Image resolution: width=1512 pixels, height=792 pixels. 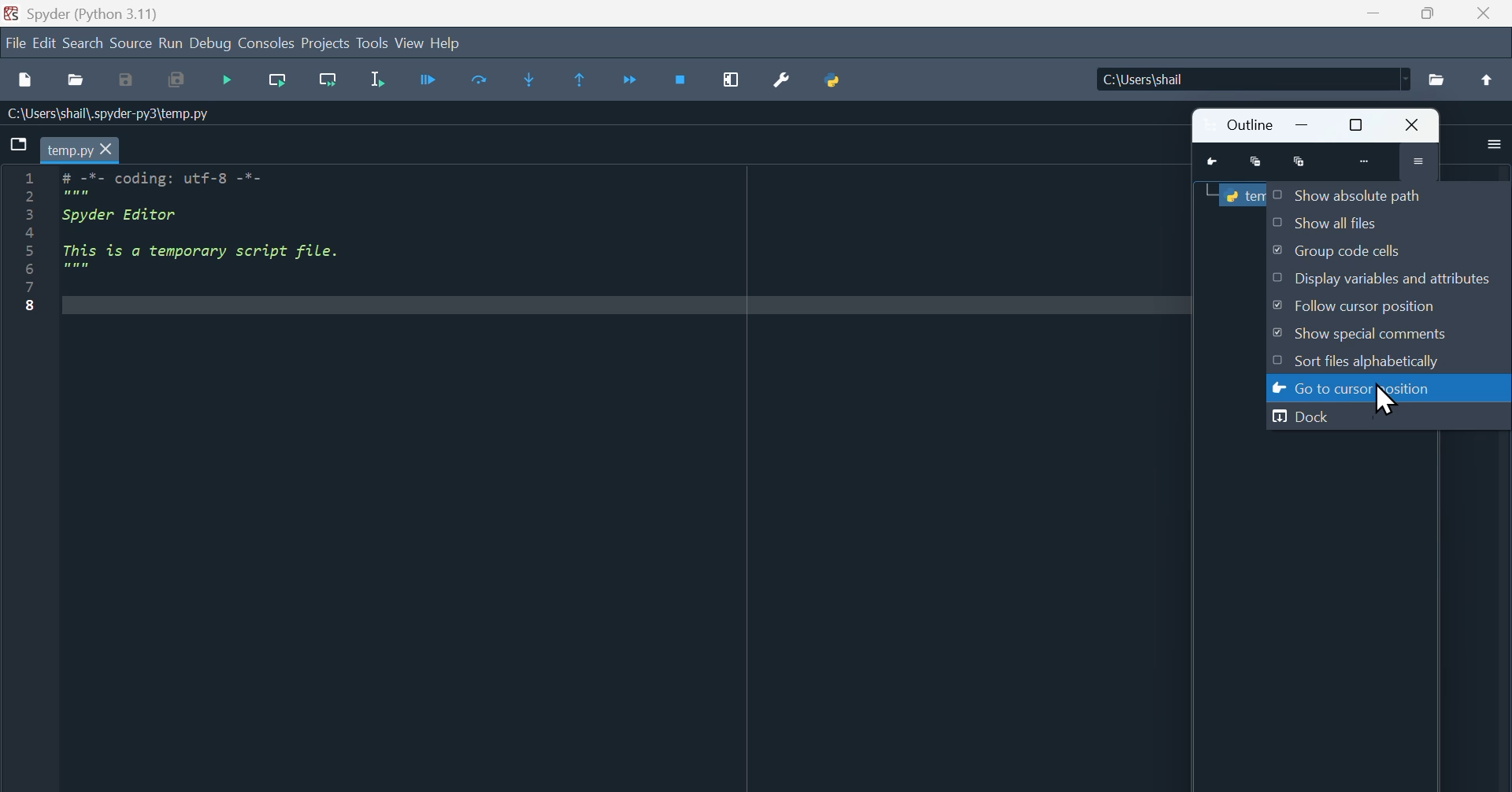 I want to click on Stop debugging, so click(x=680, y=80).